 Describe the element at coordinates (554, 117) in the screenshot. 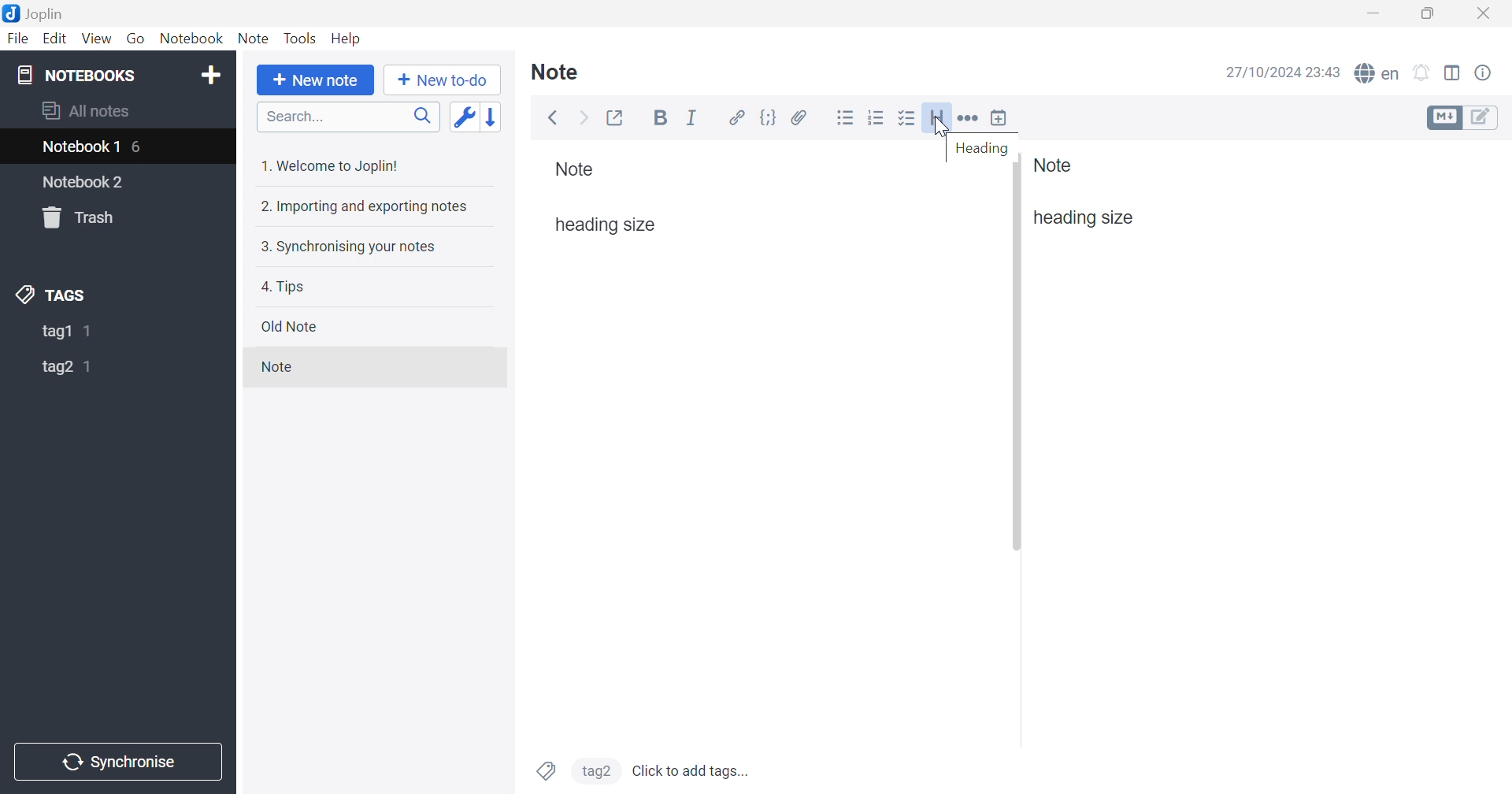

I see `Back` at that location.